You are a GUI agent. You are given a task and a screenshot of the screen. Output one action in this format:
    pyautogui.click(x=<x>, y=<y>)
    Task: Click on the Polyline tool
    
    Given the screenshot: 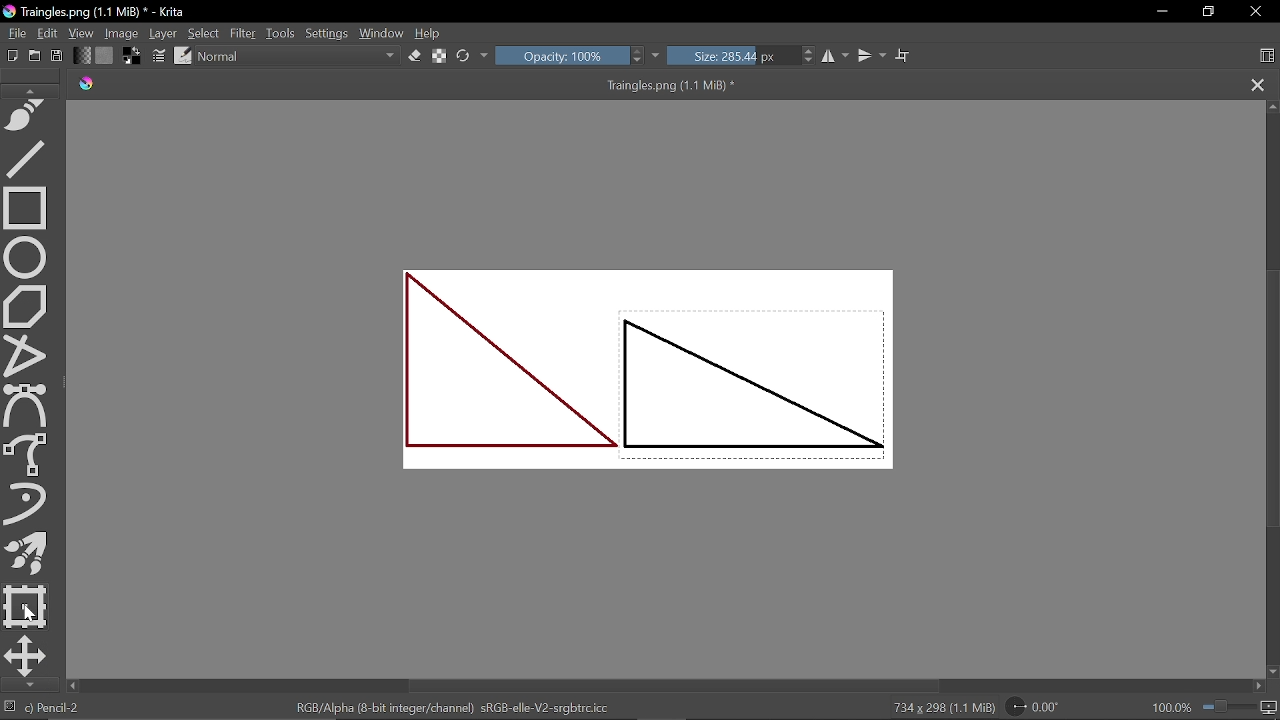 What is the action you would take?
    pyautogui.click(x=29, y=353)
    